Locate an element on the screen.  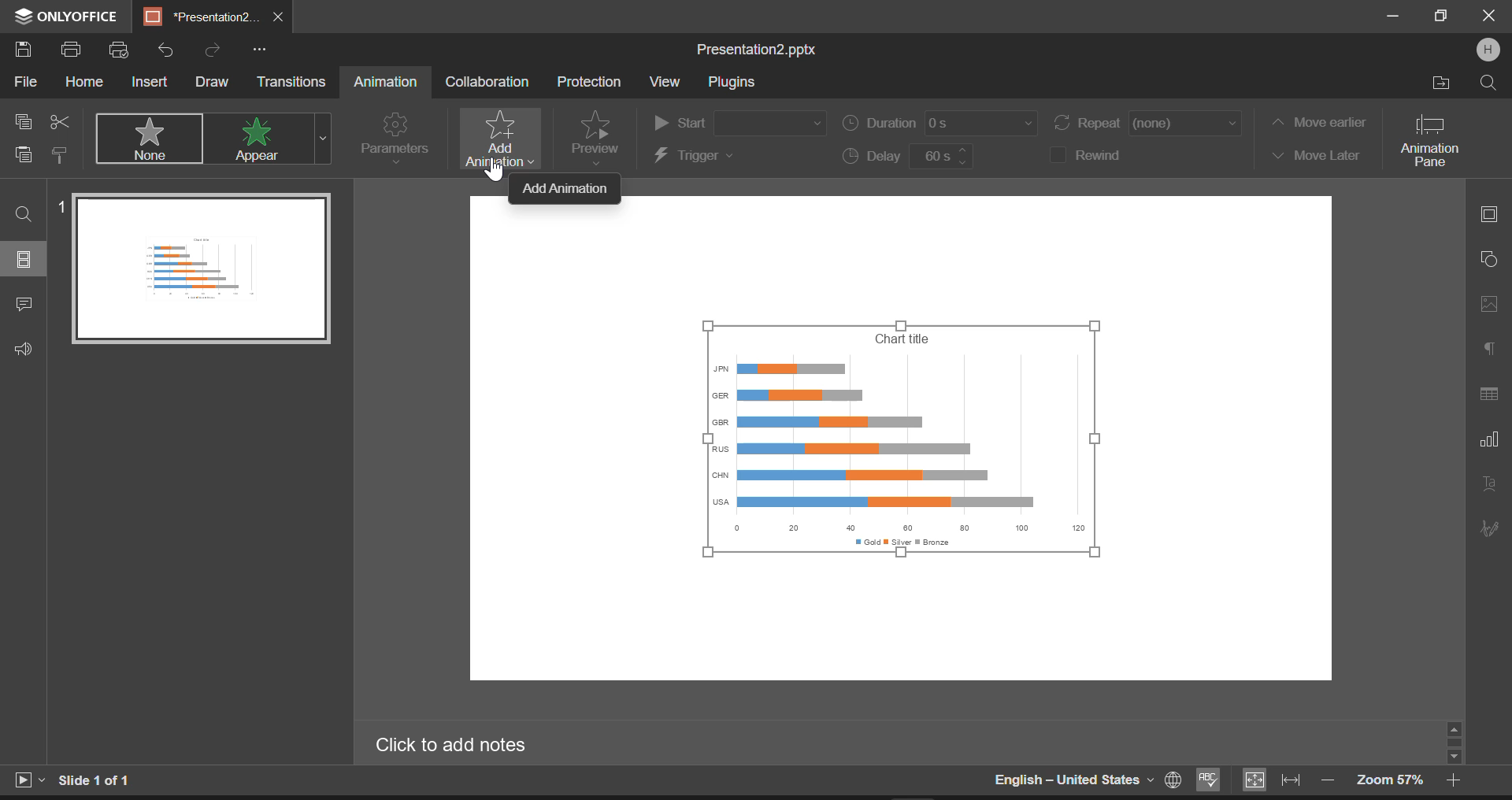
Comments is located at coordinates (24, 306).